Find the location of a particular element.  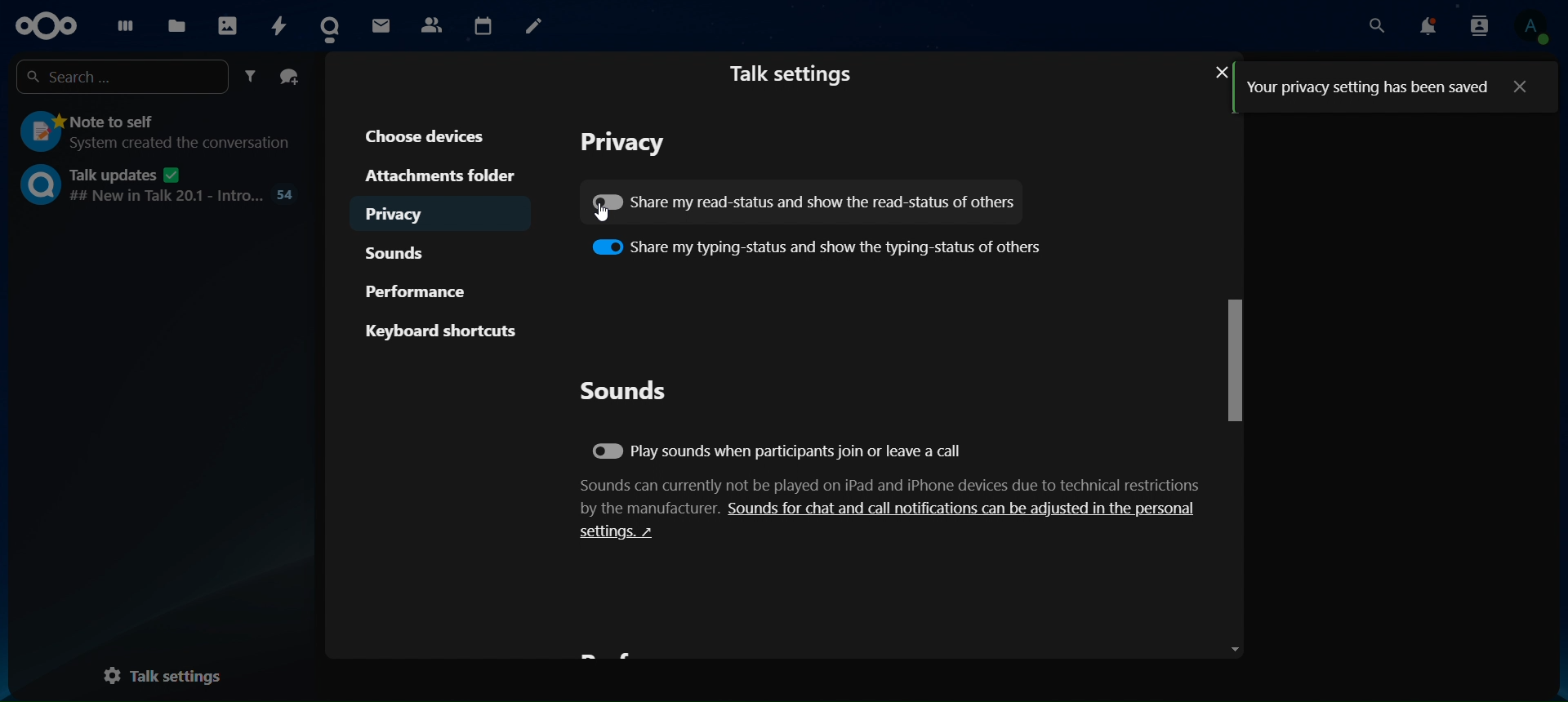

Scroll Bar is located at coordinates (1232, 380).